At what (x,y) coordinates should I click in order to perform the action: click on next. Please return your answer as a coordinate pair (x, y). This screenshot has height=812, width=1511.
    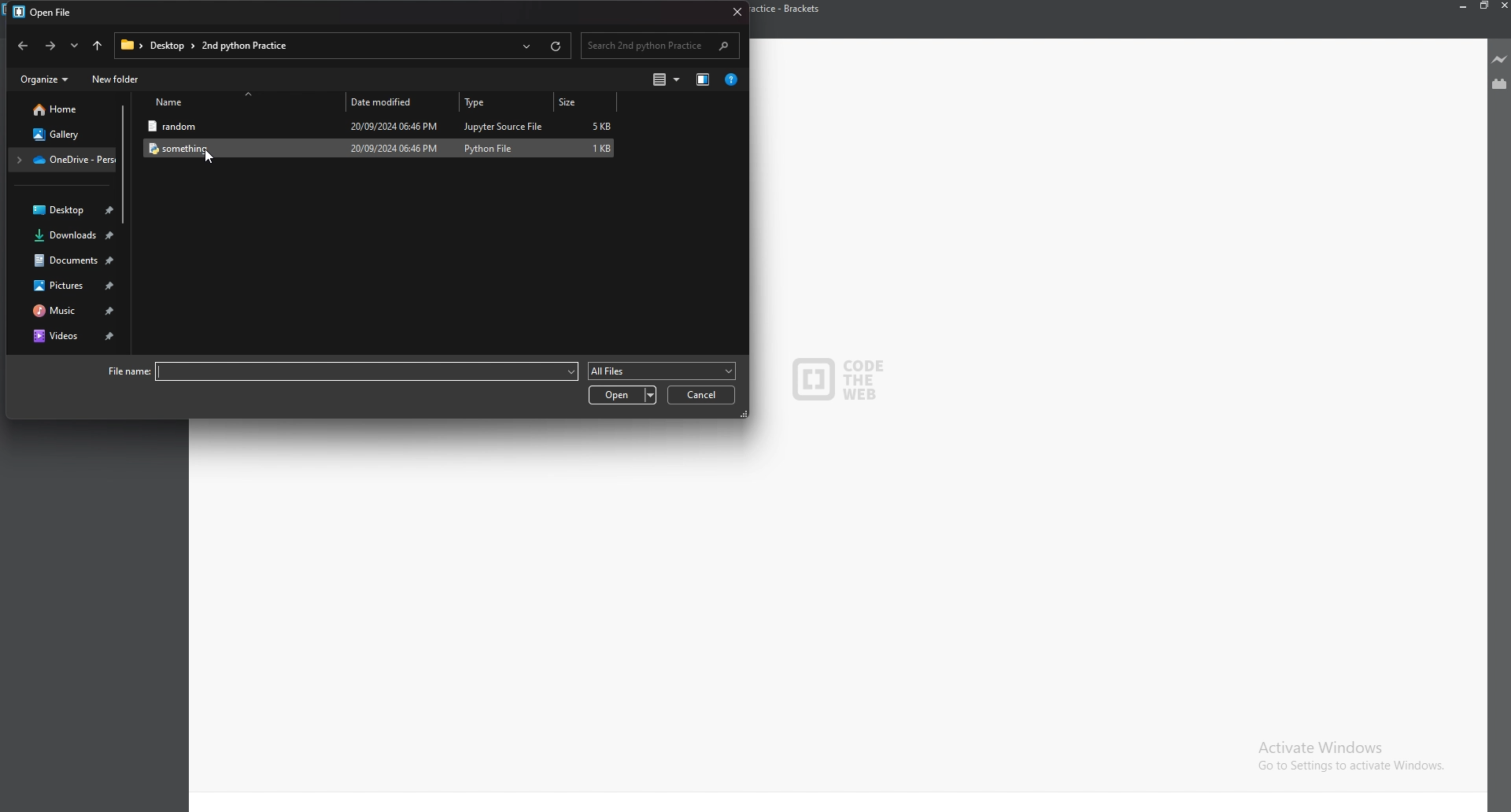
    Looking at the image, I should click on (50, 46).